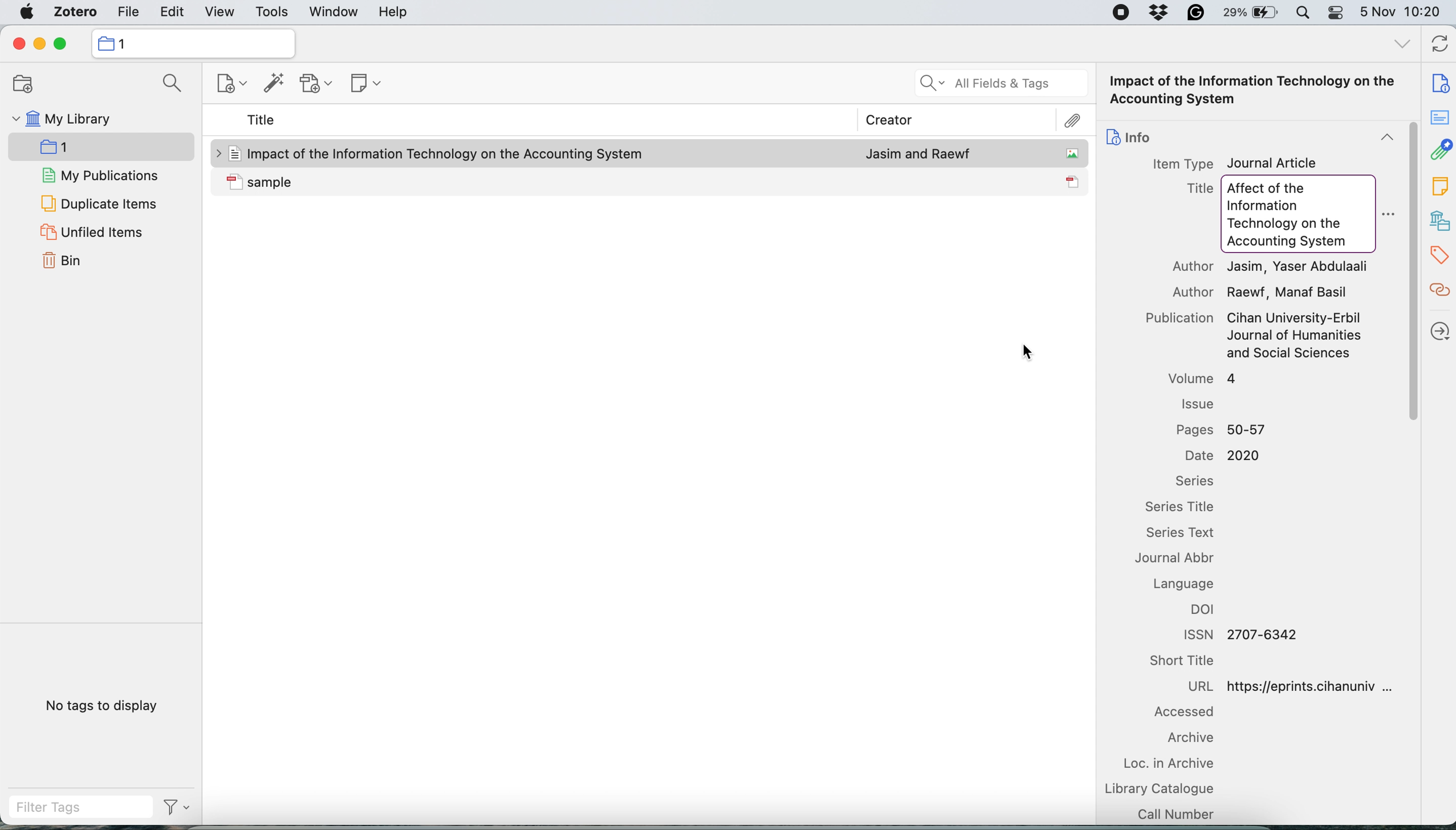 The image size is (1456, 830). Describe the element at coordinates (1272, 267) in the screenshot. I see `Author Jasim, Yaser Abdulaali` at that location.